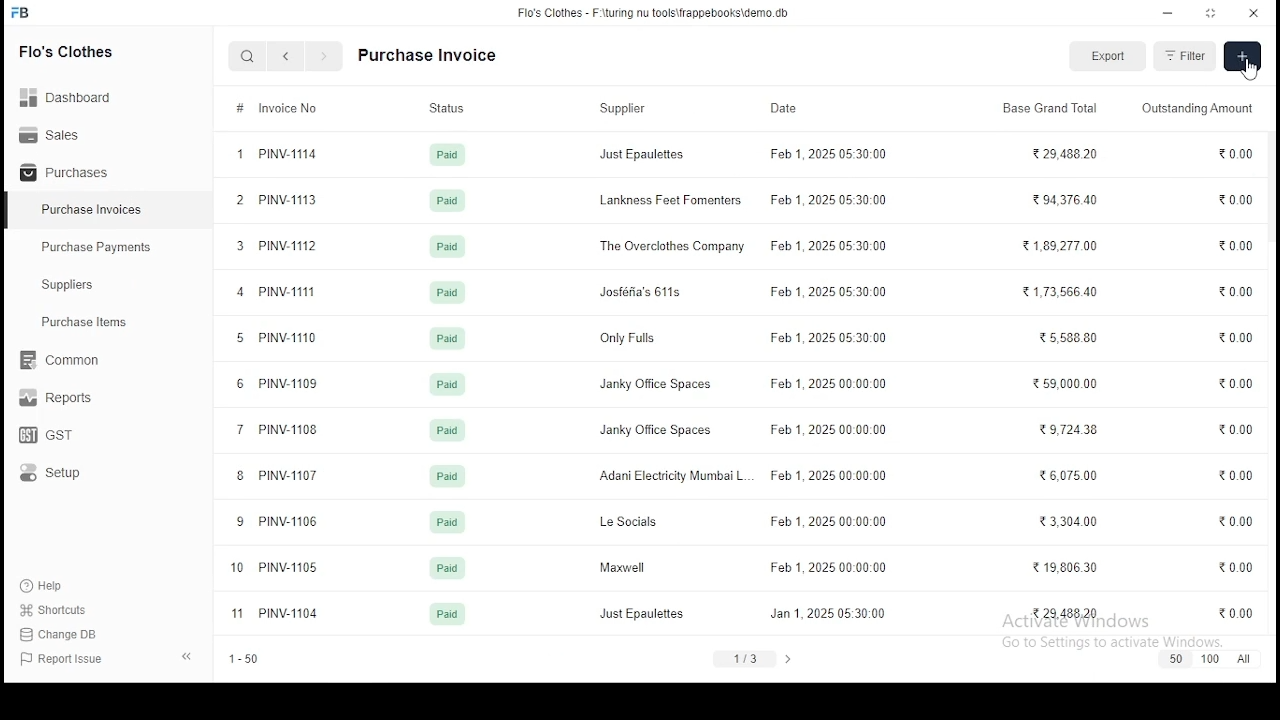 The height and width of the screenshot is (720, 1280). Describe the element at coordinates (1066, 567) in the screenshot. I see `19,806` at that location.